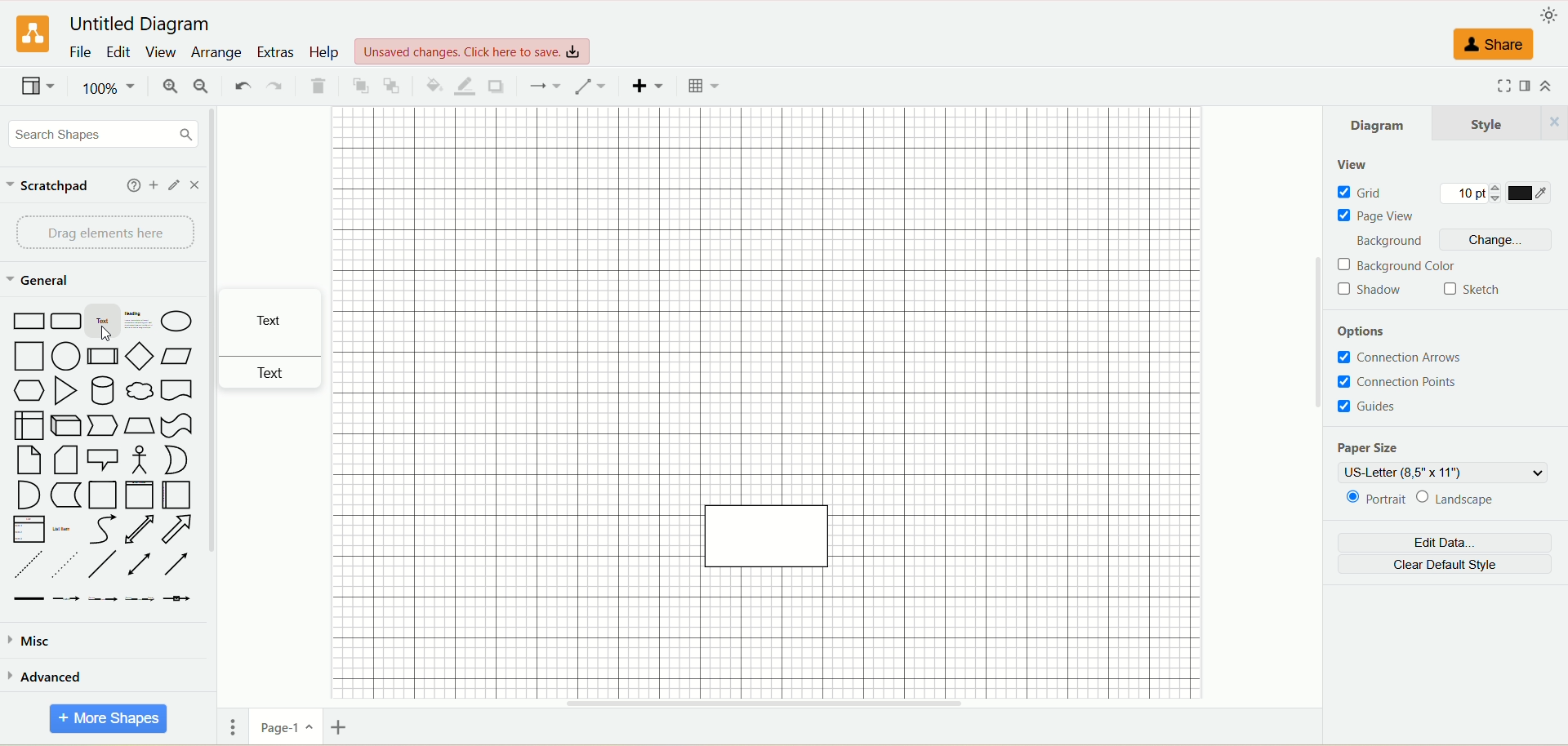 Image resolution: width=1568 pixels, height=746 pixels. Describe the element at coordinates (1468, 291) in the screenshot. I see `sketch` at that location.